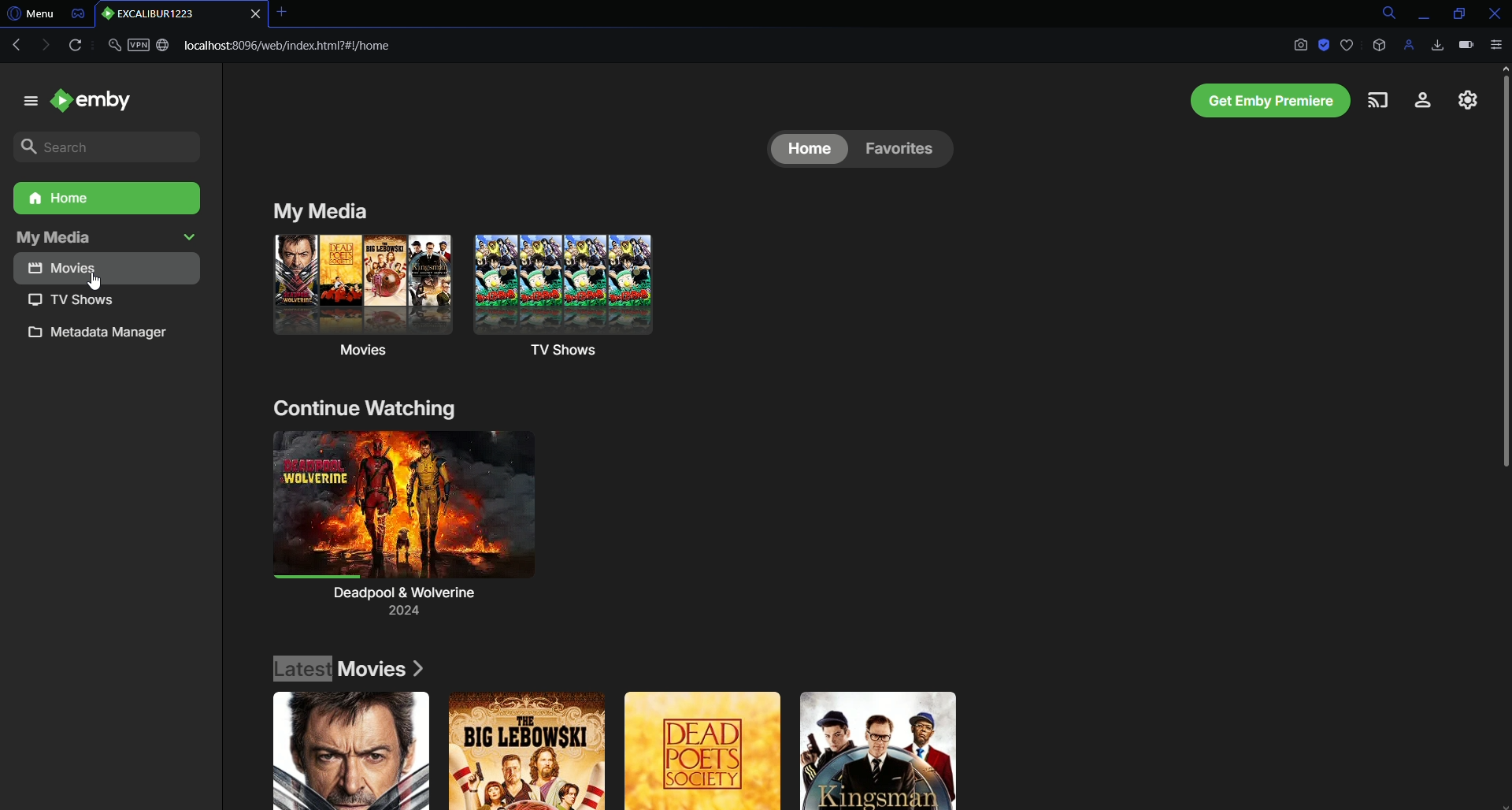  What do you see at coordinates (107, 269) in the screenshot?
I see `Movies` at bounding box center [107, 269].